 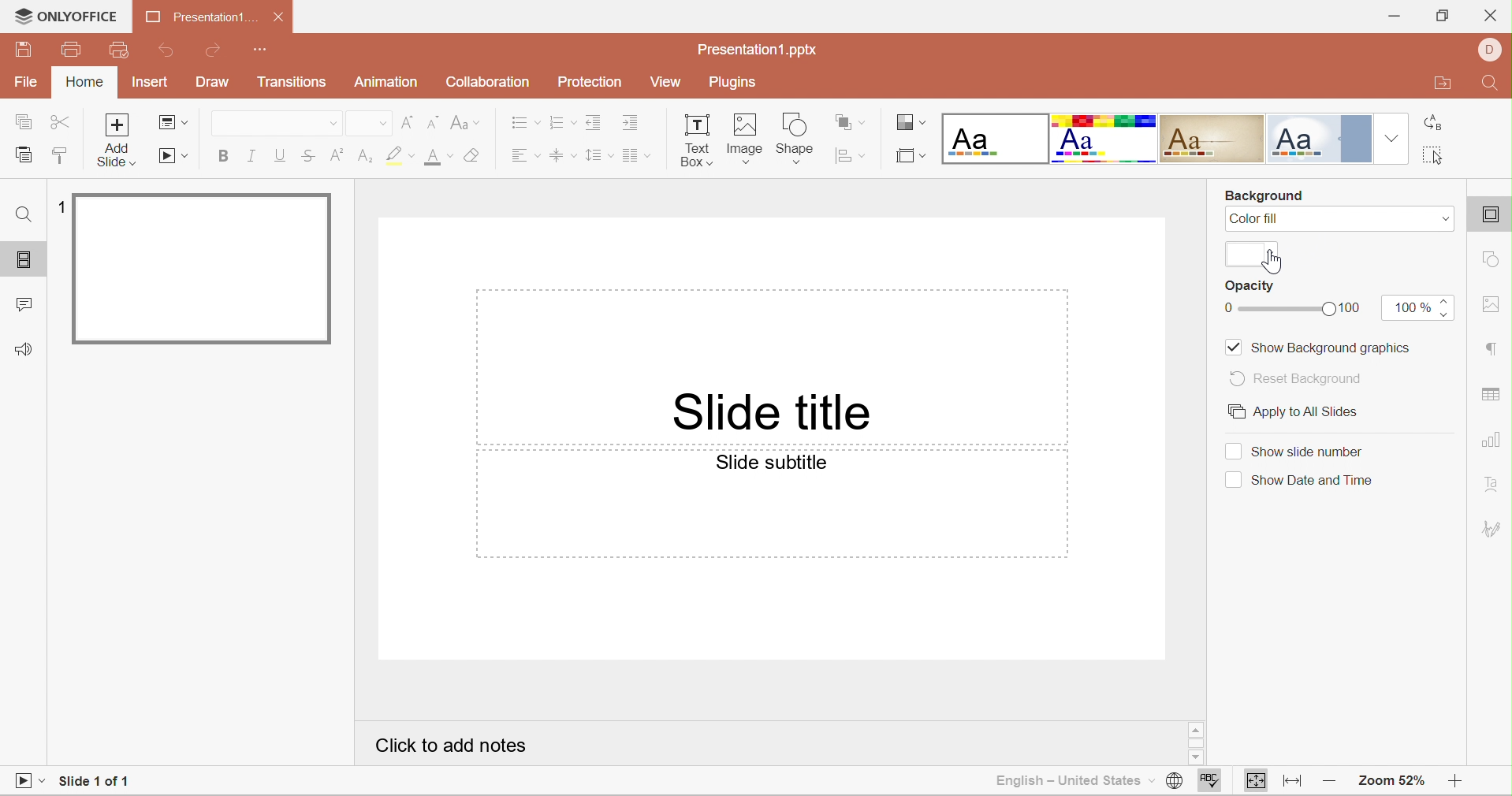 What do you see at coordinates (278, 154) in the screenshot?
I see `Underline` at bounding box center [278, 154].